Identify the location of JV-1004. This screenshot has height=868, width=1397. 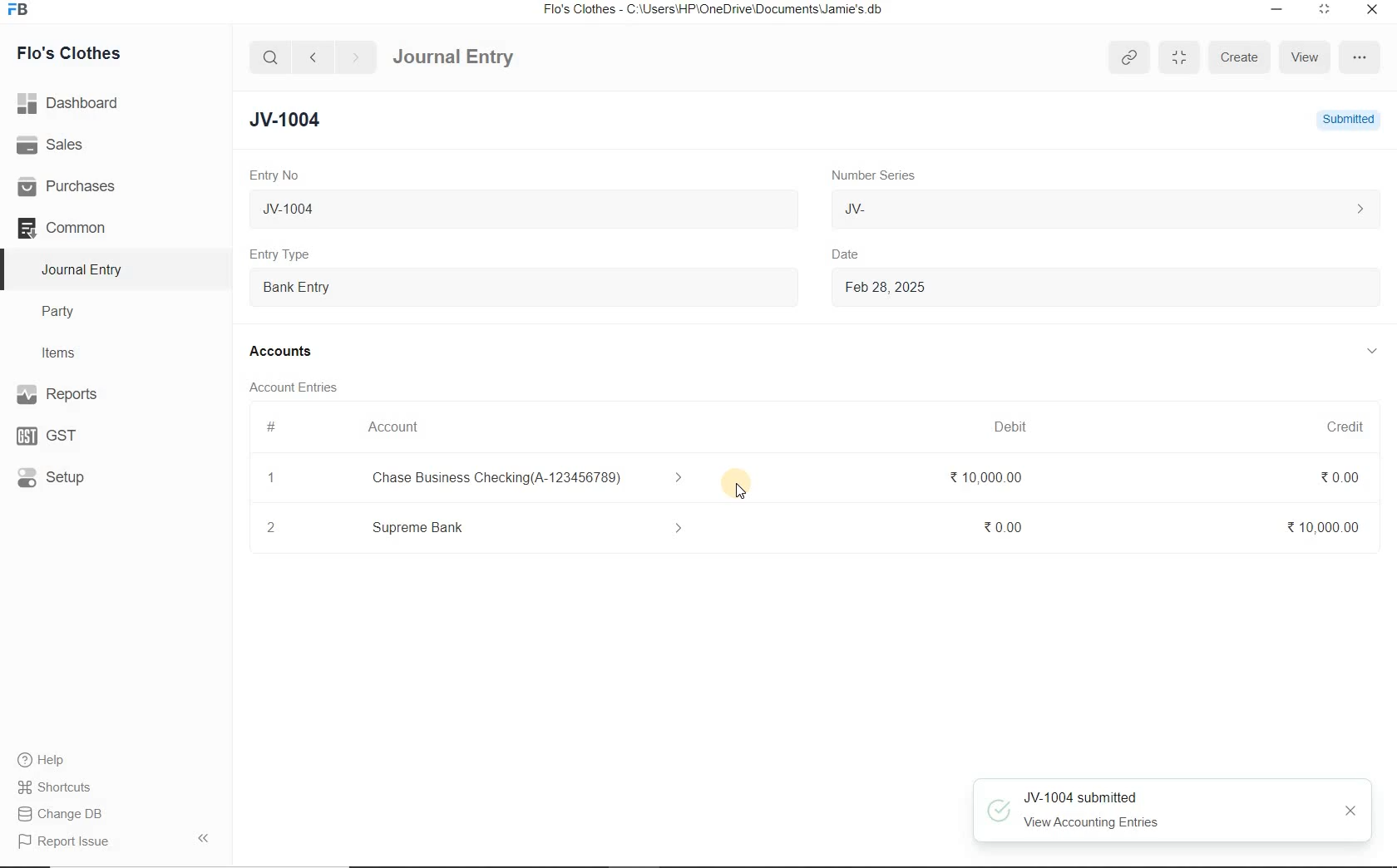
(524, 207).